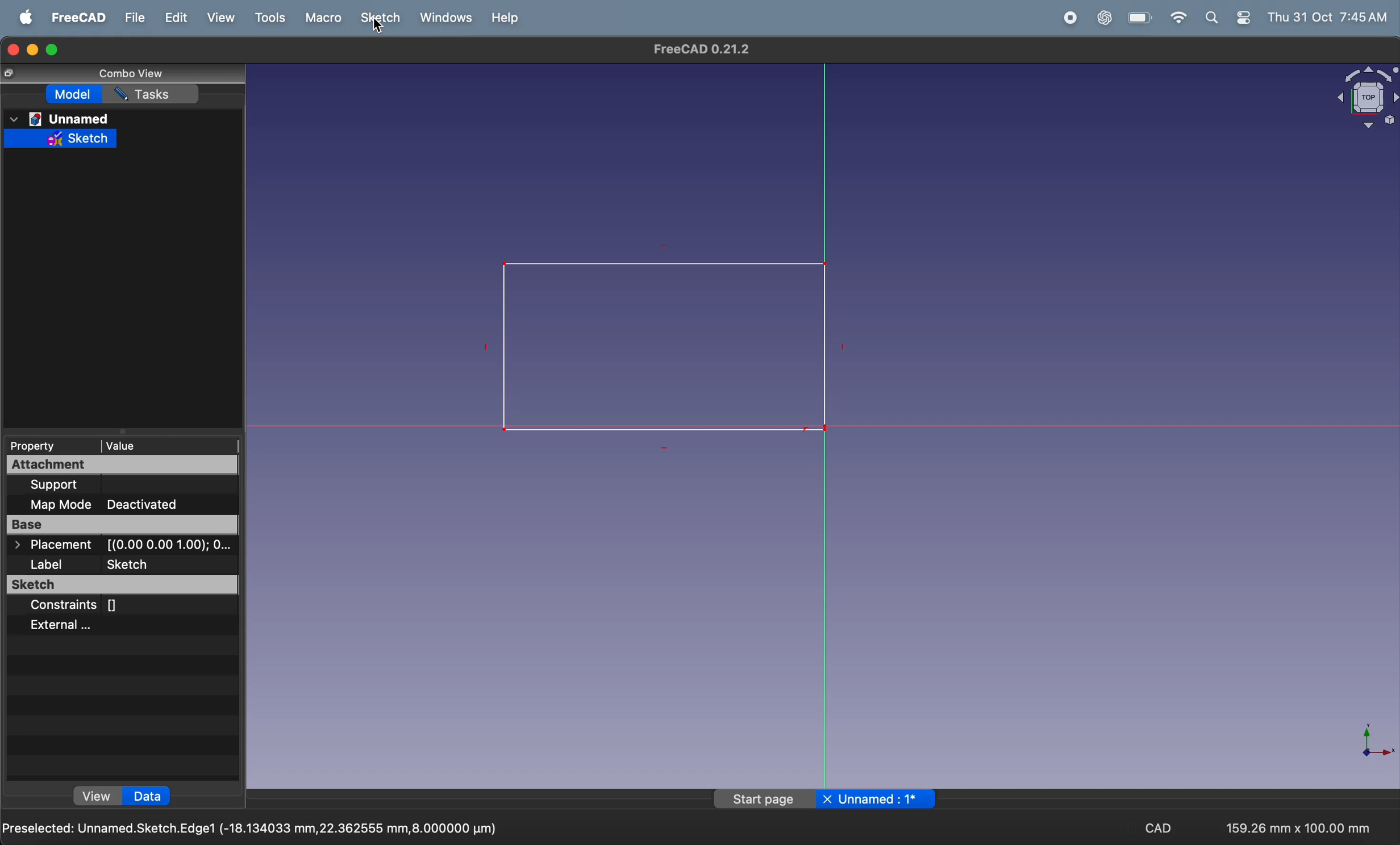 This screenshot has height=845, width=1400. What do you see at coordinates (254, 825) in the screenshot?
I see `pre selected unnamed V axis (0.0000mm, 13.2343406mm,2.00000mm)` at bounding box center [254, 825].